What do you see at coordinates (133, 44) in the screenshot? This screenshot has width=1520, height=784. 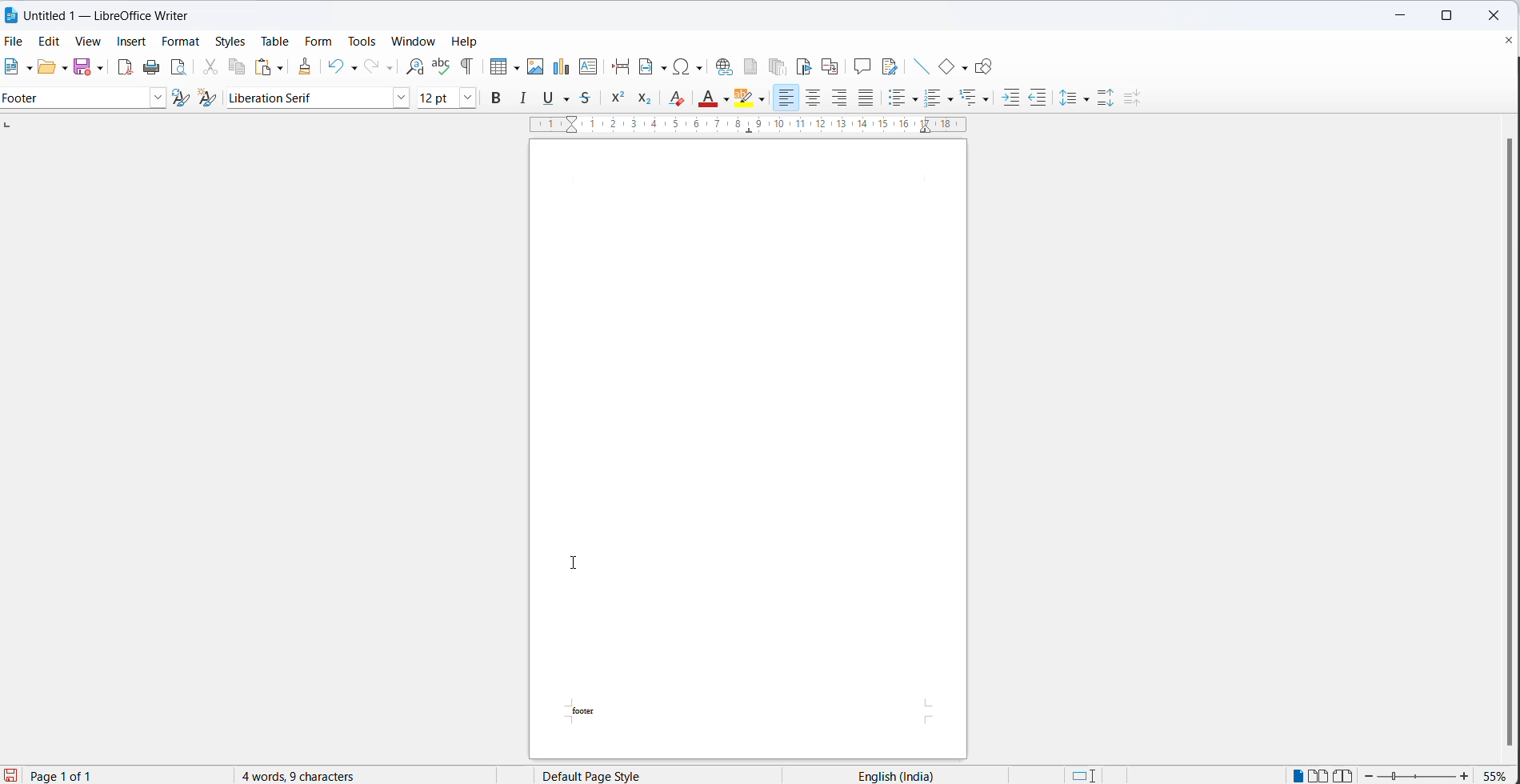 I see `insert` at bounding box center [133, 44].